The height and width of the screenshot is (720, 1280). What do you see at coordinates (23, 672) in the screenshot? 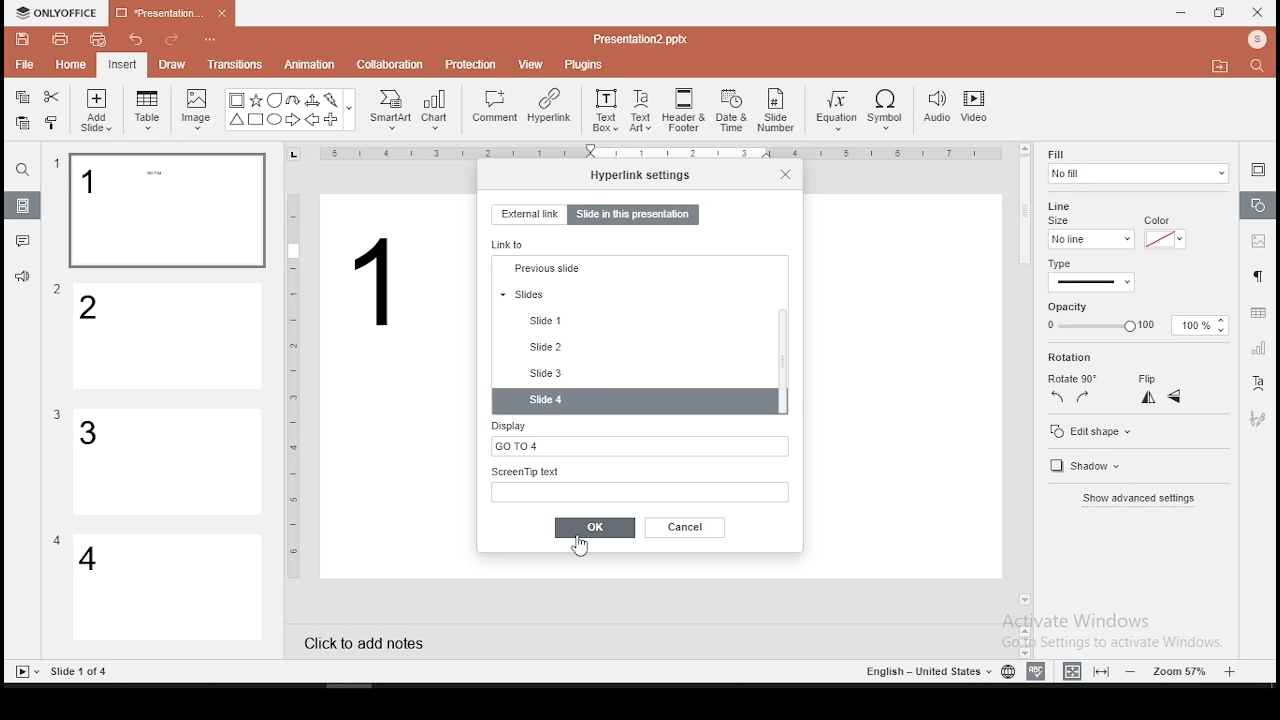
I see `Slide` at bounding box center [23, 672].